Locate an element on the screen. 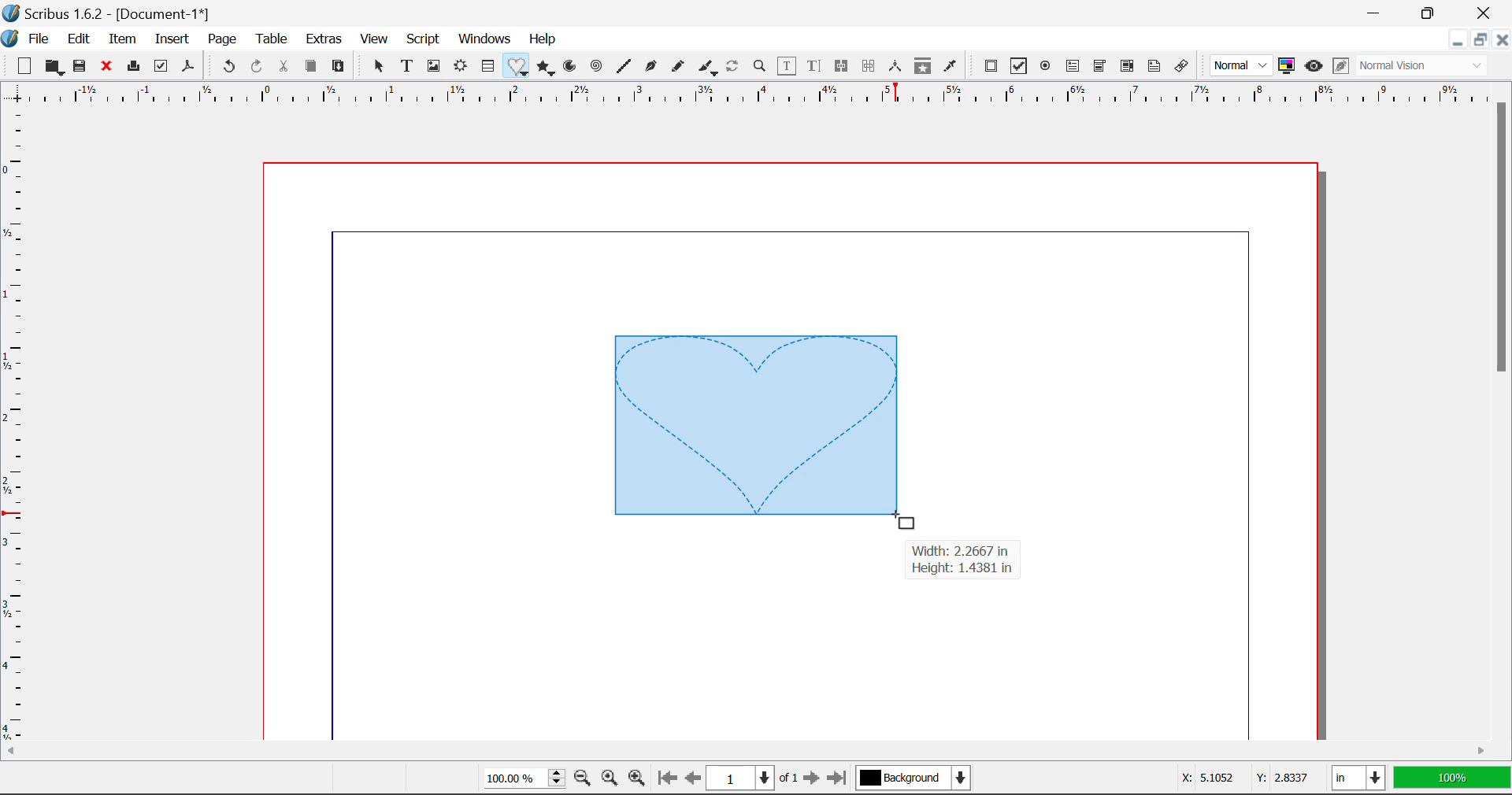 The image size is (1512, 795). New is located at coordinates (24, 68).